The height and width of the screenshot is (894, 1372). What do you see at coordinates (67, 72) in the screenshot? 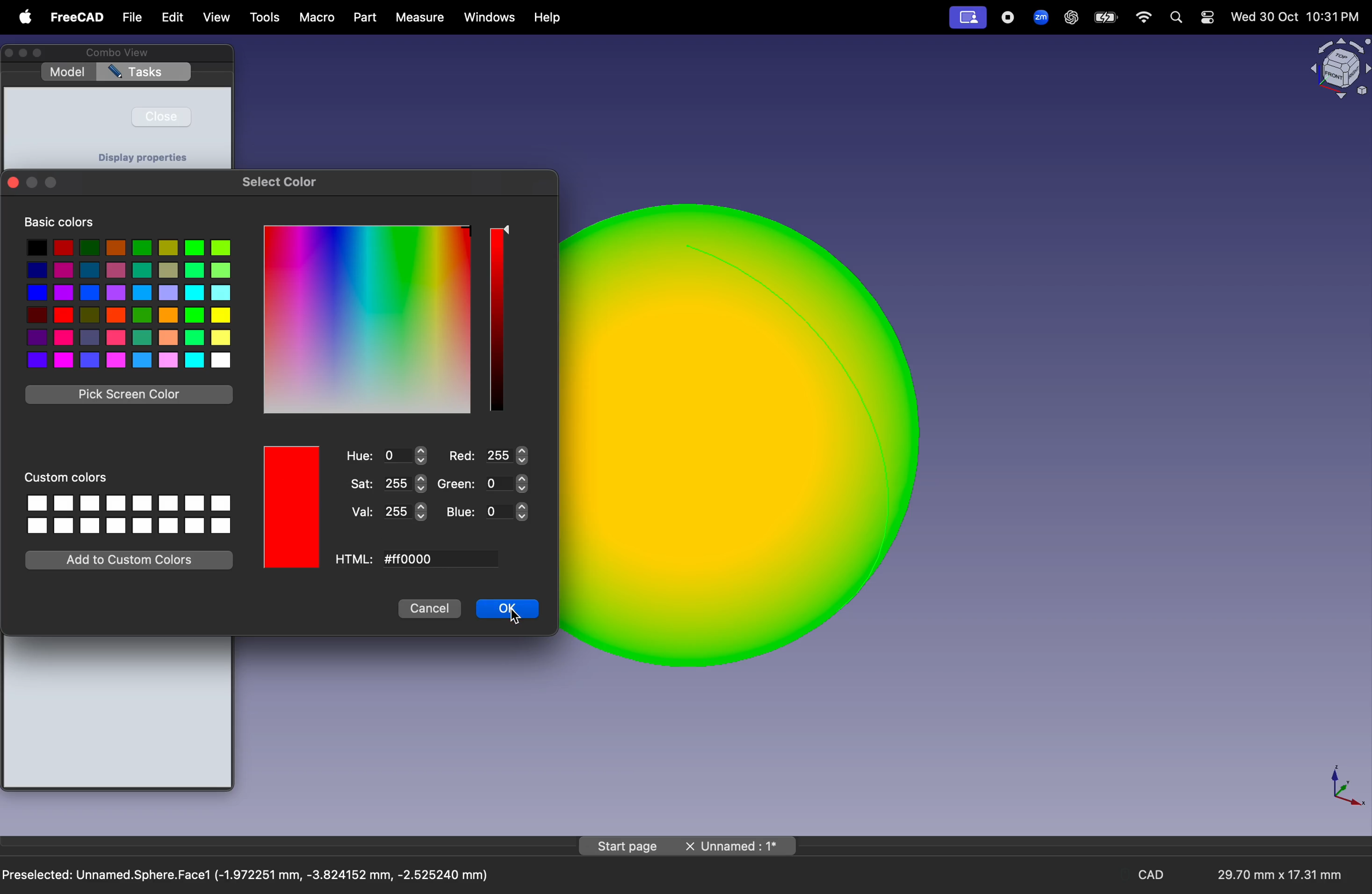
I see `model` at bounding box center [67, 72].